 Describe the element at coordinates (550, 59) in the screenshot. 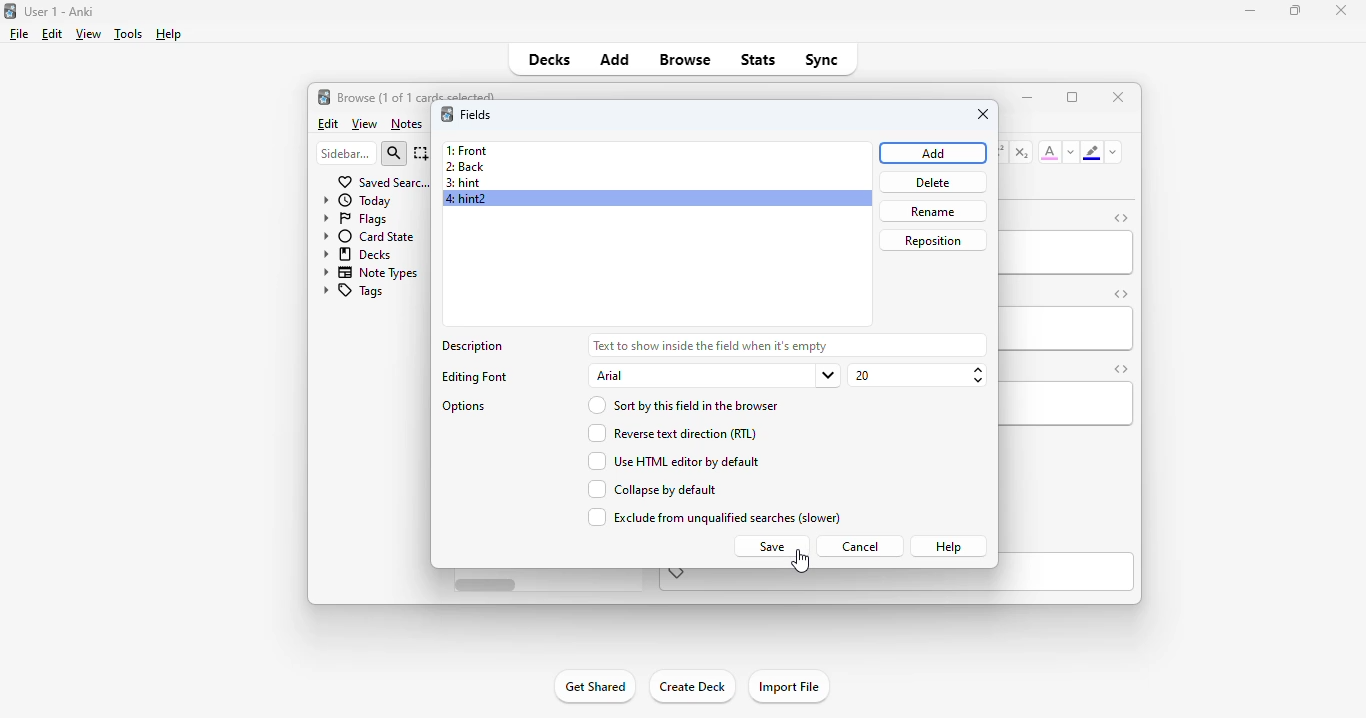

I see `decks` at that location.